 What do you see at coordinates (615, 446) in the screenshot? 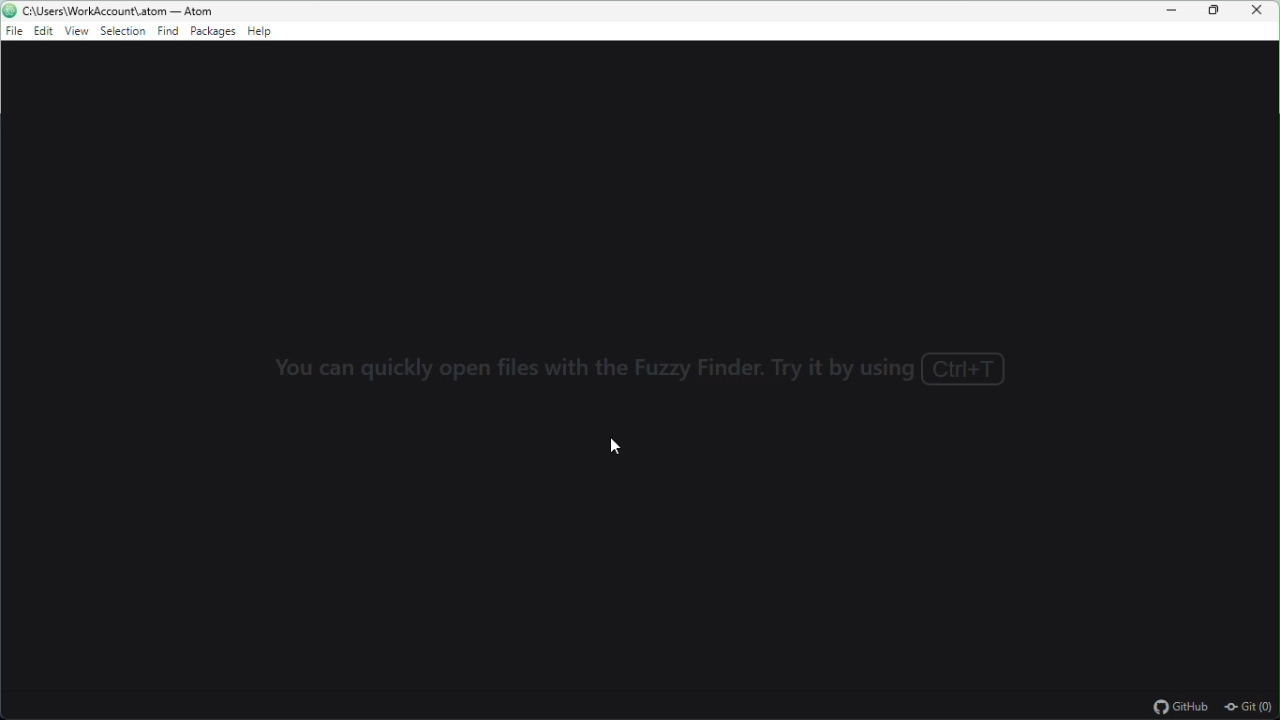
I see `cursor` at bounding box center [615, 446].